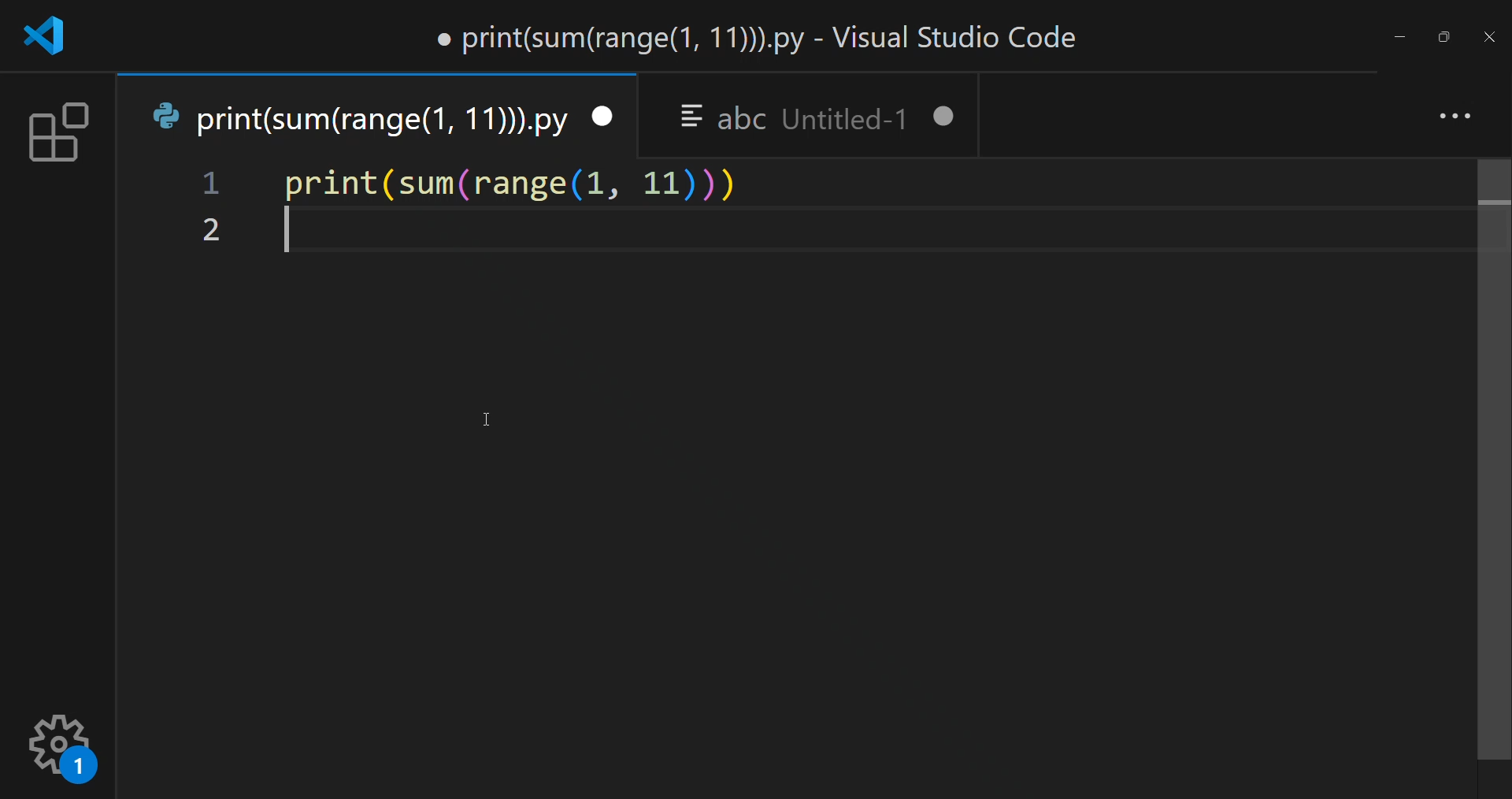 Image resolution: width=1512 pixels, height=799 pixels. Describe the element at coordinates (289, 237) in the screenshot. I see `start writing` at that location.